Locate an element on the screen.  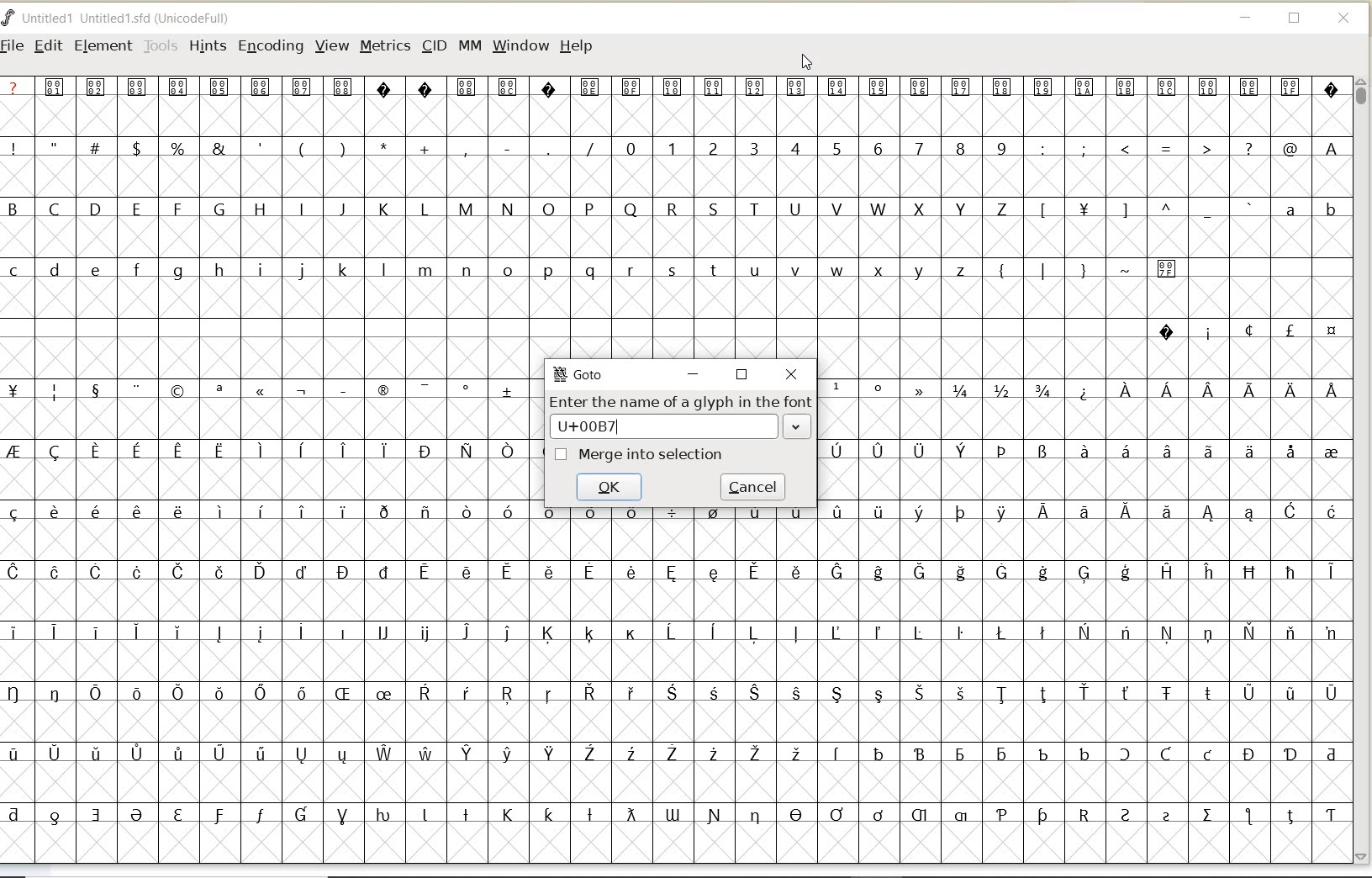
CID is located at coordinates (434, 48).